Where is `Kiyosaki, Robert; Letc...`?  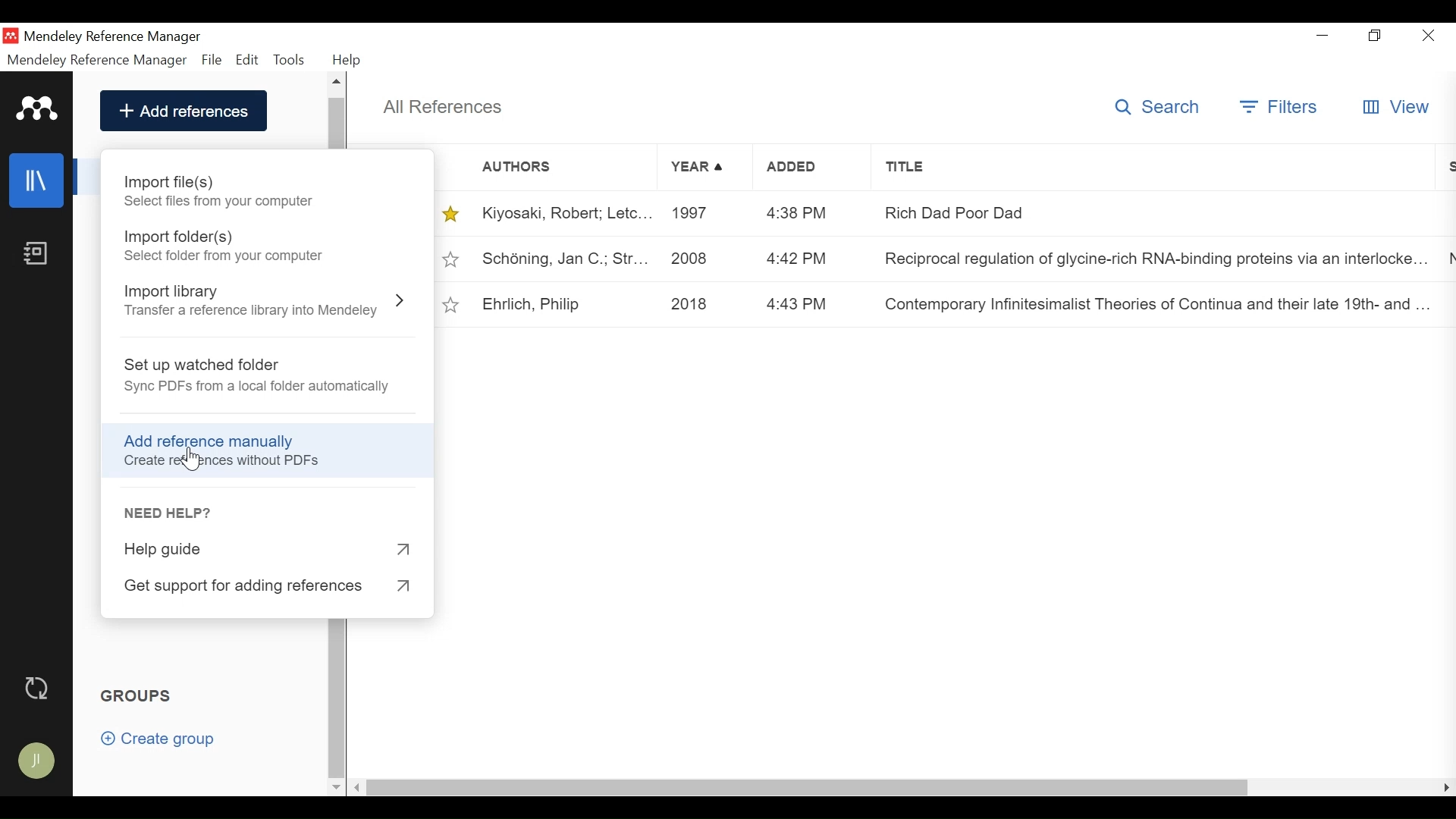 Kiyosaki, Robert; Letc... is located at coordinates (566, 214).